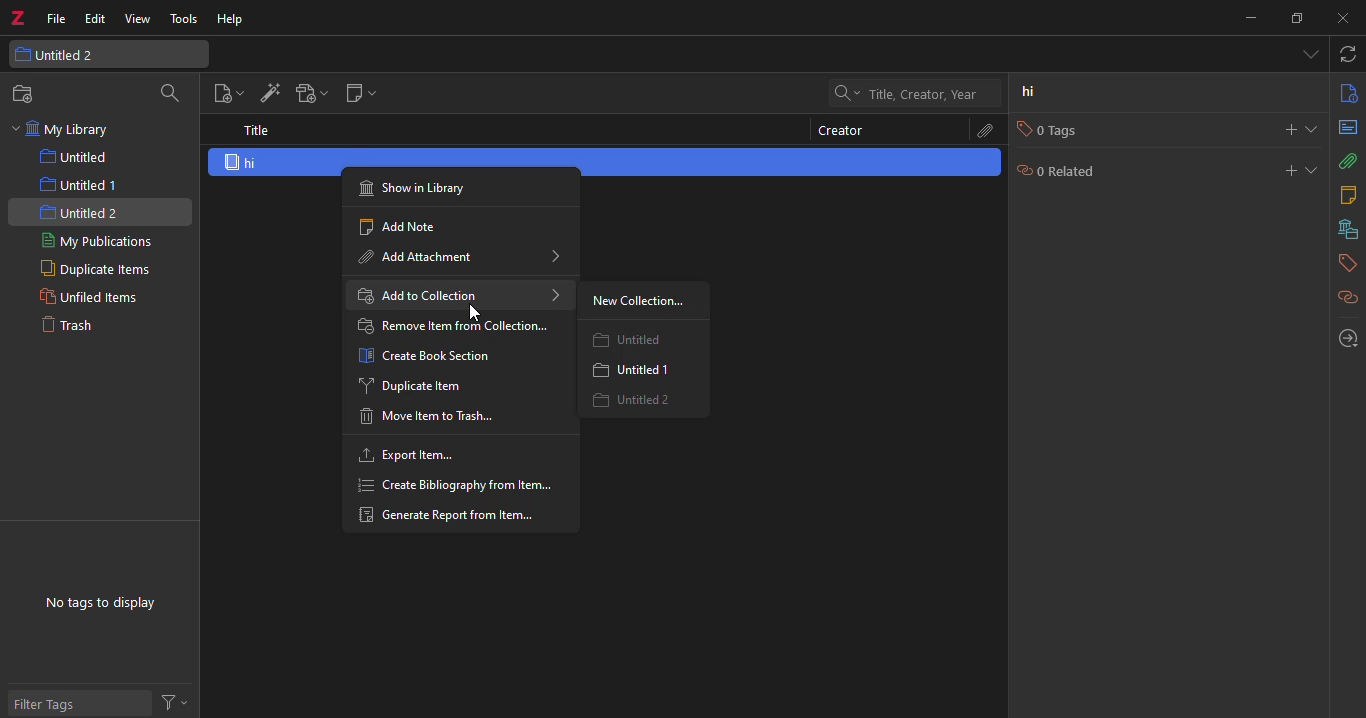 The height and width of the screenshot is (718, 1366). What do you see at coordinates (358, 93) in the screenshot?
I see `new note` at bounding box center [358, 93].